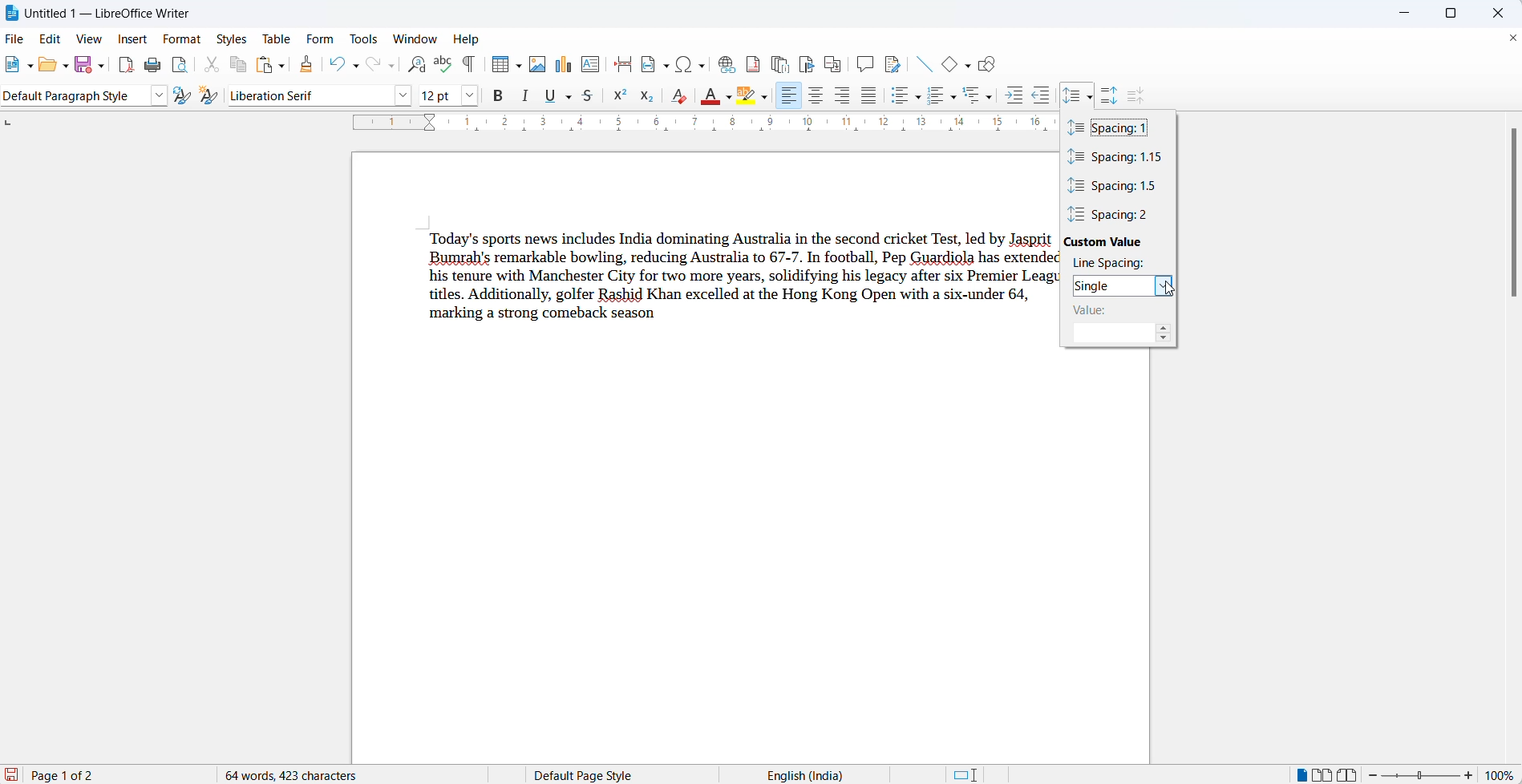  What do you see at coordinates (678, 95) in the screenshot?
I see `clear direct formatting` at bounding box center [678, 95].